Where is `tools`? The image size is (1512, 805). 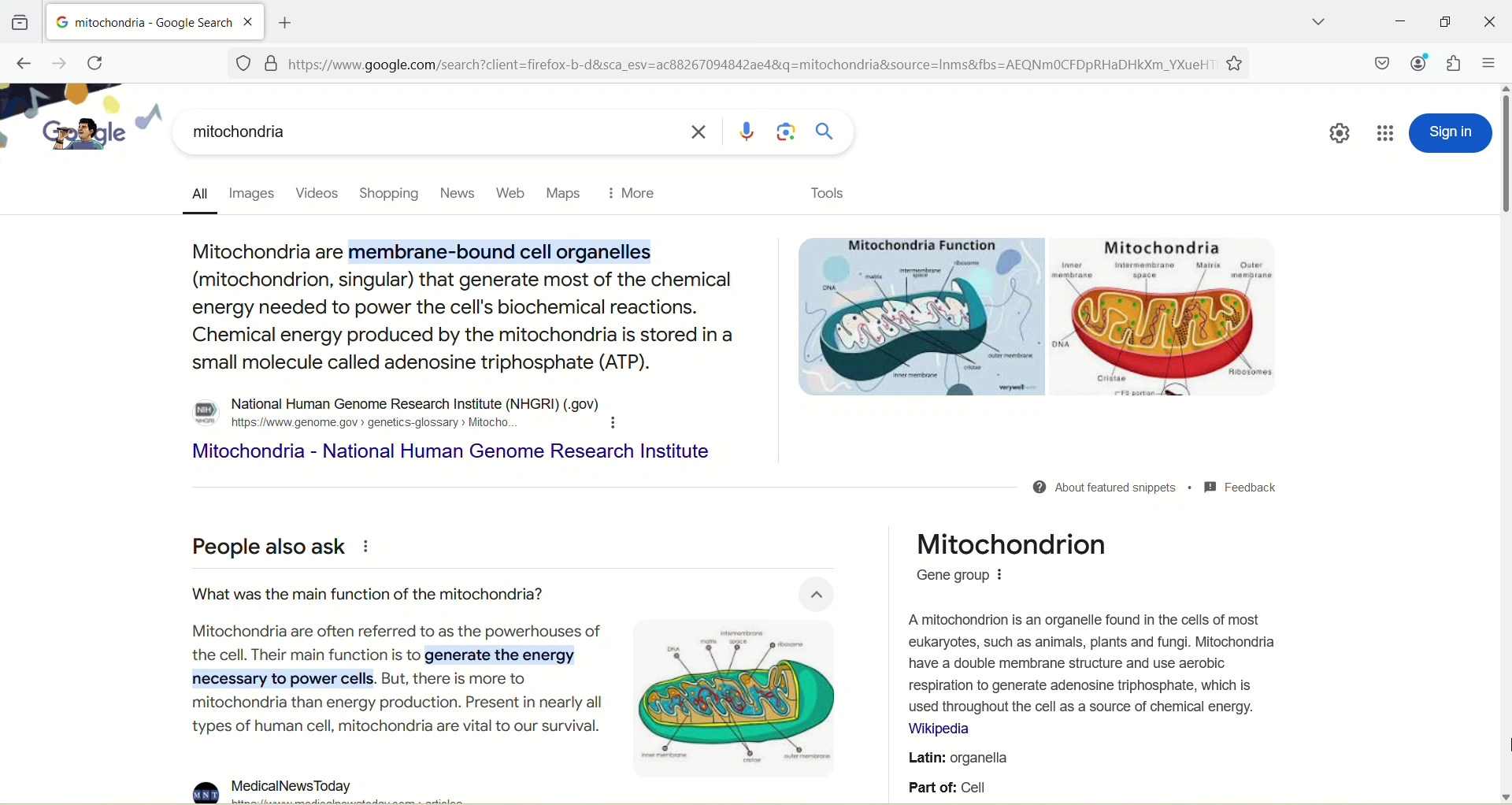
tools is located at coordinates (829, 194).